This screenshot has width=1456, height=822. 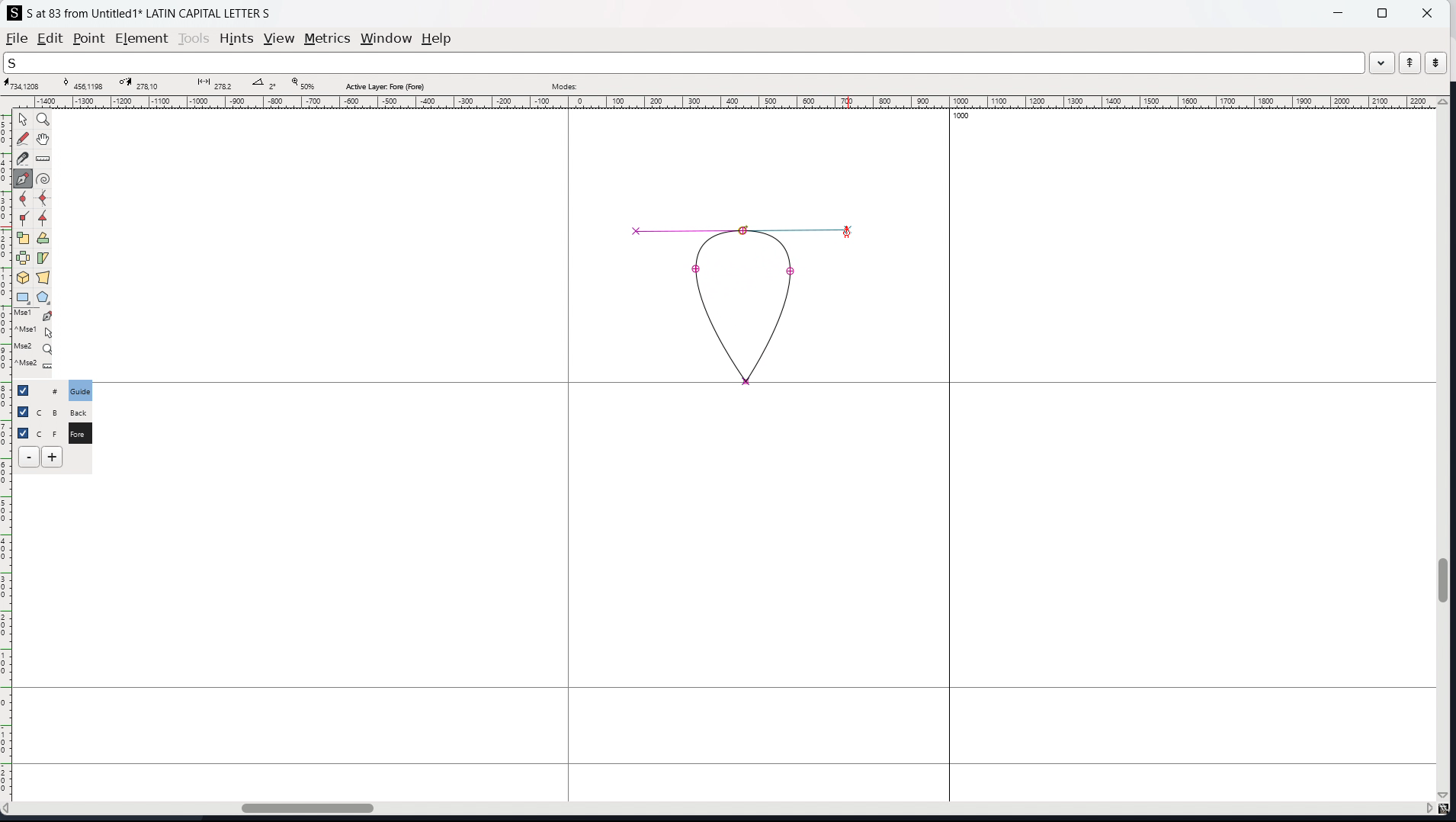 What do you see at coordinates (1382, 12) in the screenshot?
I see `maximize` at bounding box center [1382, 12].